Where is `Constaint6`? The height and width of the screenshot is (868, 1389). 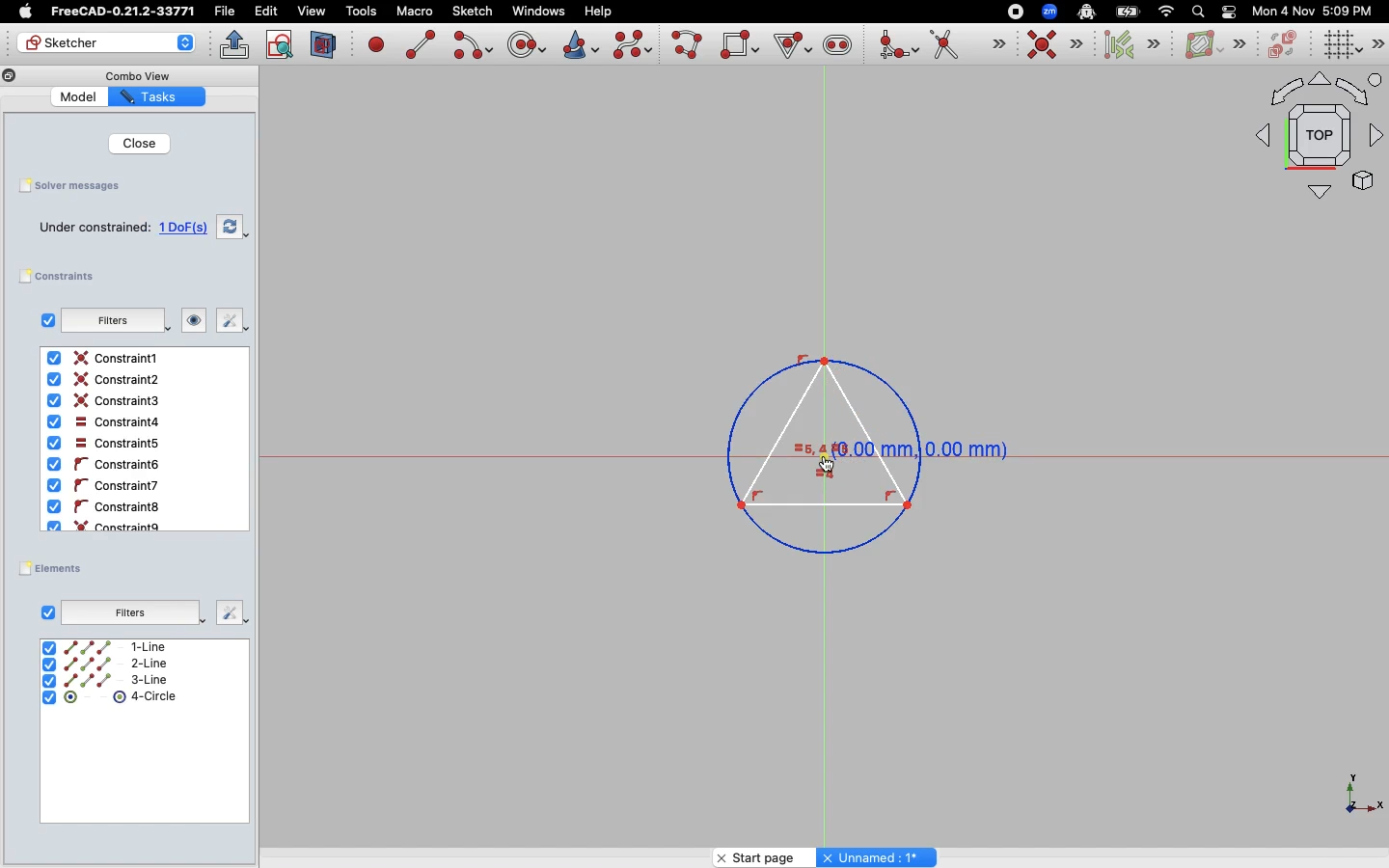 Constaint6 is located at coordinates (107, 465).